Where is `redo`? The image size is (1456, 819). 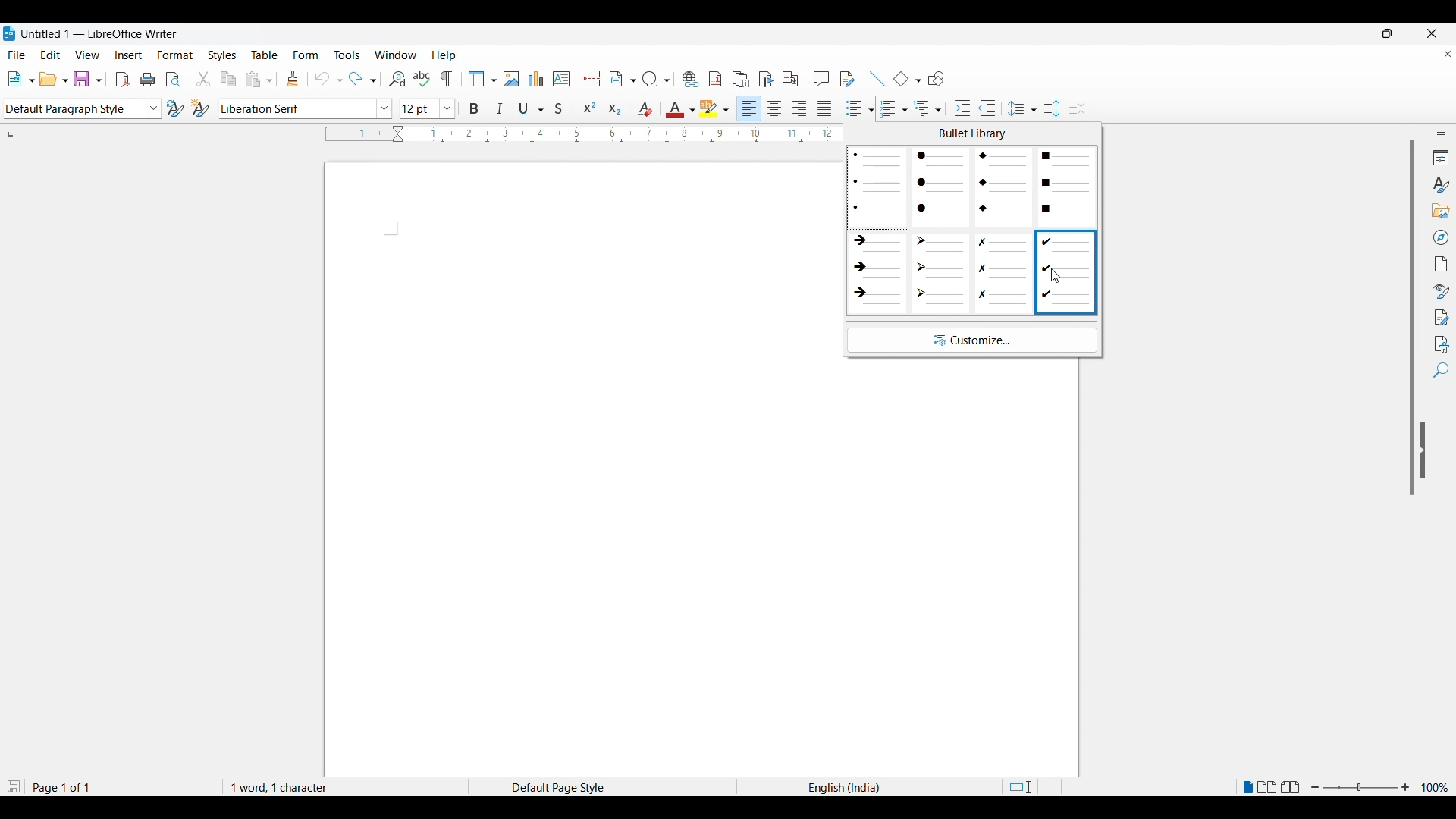 redo is located at coordinates (362, 79).